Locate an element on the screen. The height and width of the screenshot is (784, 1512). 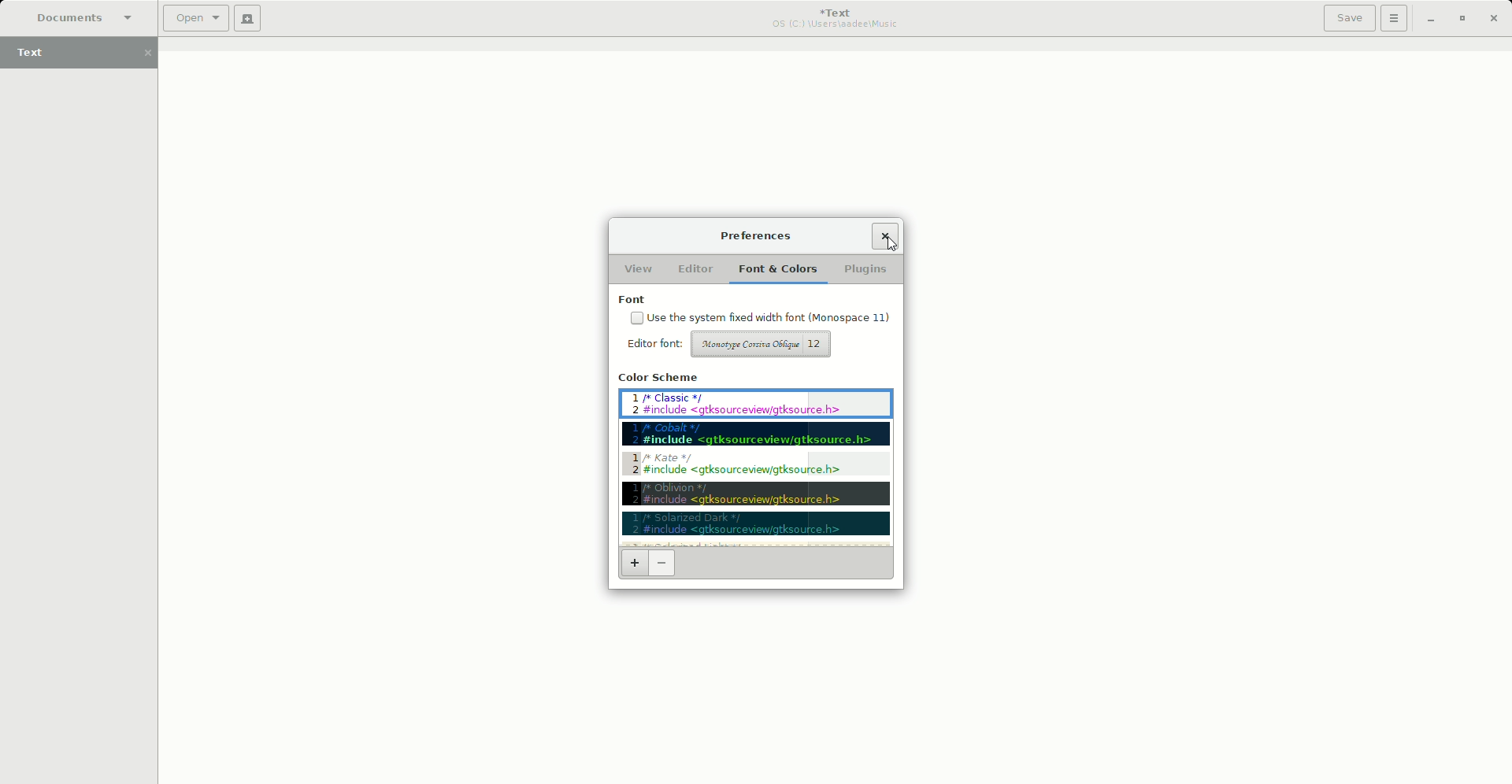
Options is located at coordinates (1395, 18).